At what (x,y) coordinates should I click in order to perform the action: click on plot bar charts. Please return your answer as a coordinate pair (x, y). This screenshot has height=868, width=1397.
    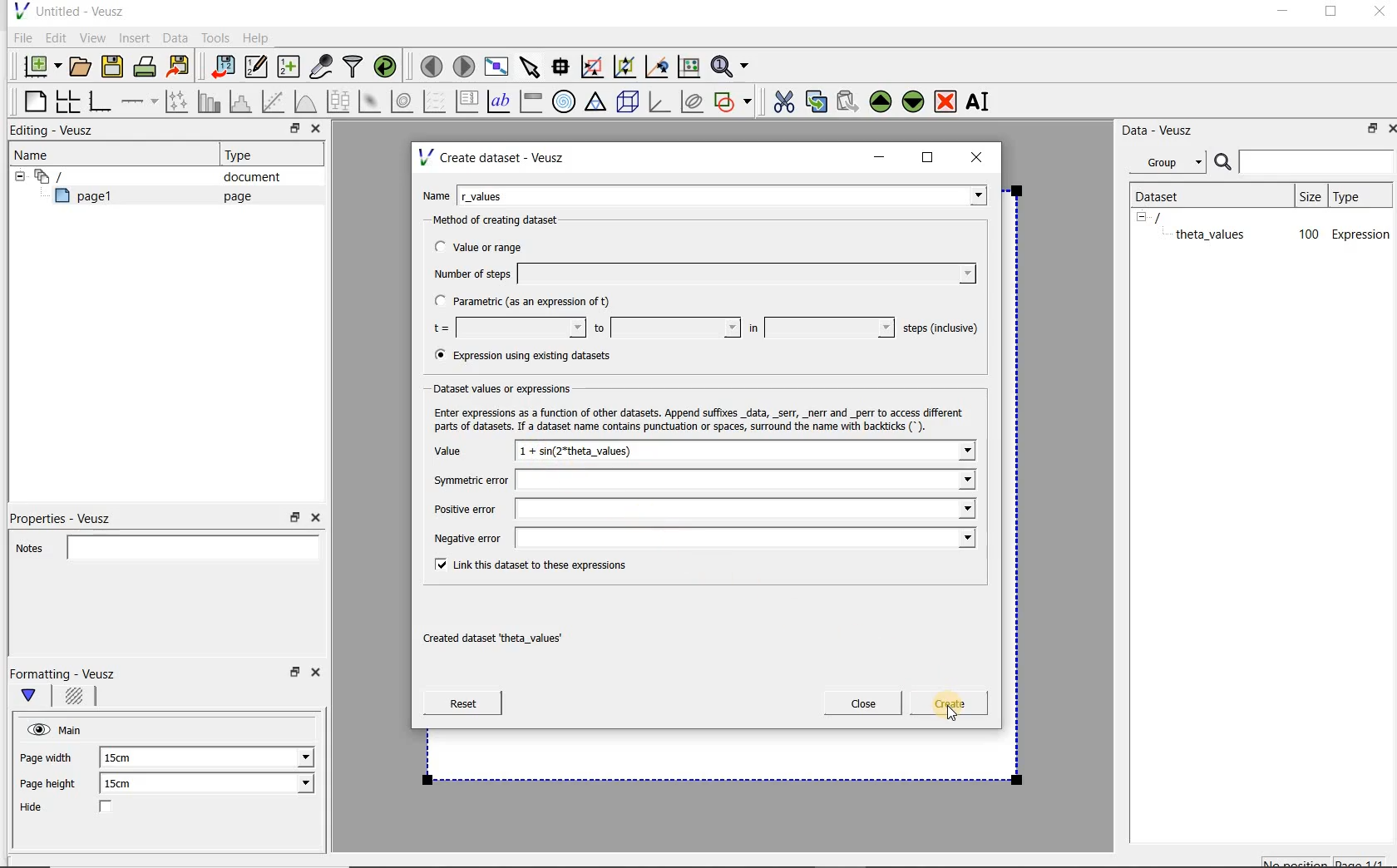
    Looking at the image, I should click on (210, 101).